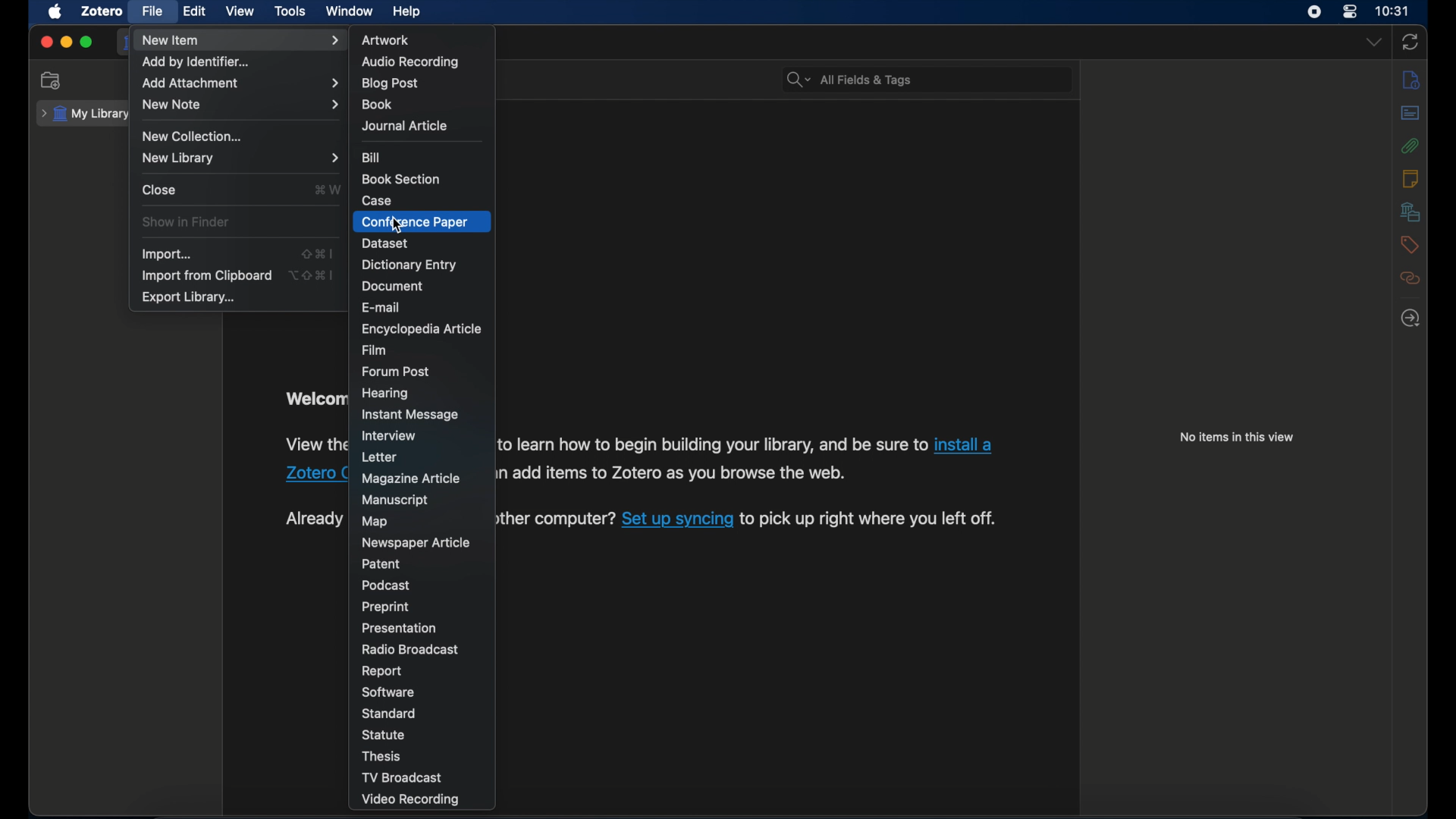 This screenshot has height=819, width=1456. Describe the element at coordinates (103, 11) in the screenshot. I see `zotero` at that location.